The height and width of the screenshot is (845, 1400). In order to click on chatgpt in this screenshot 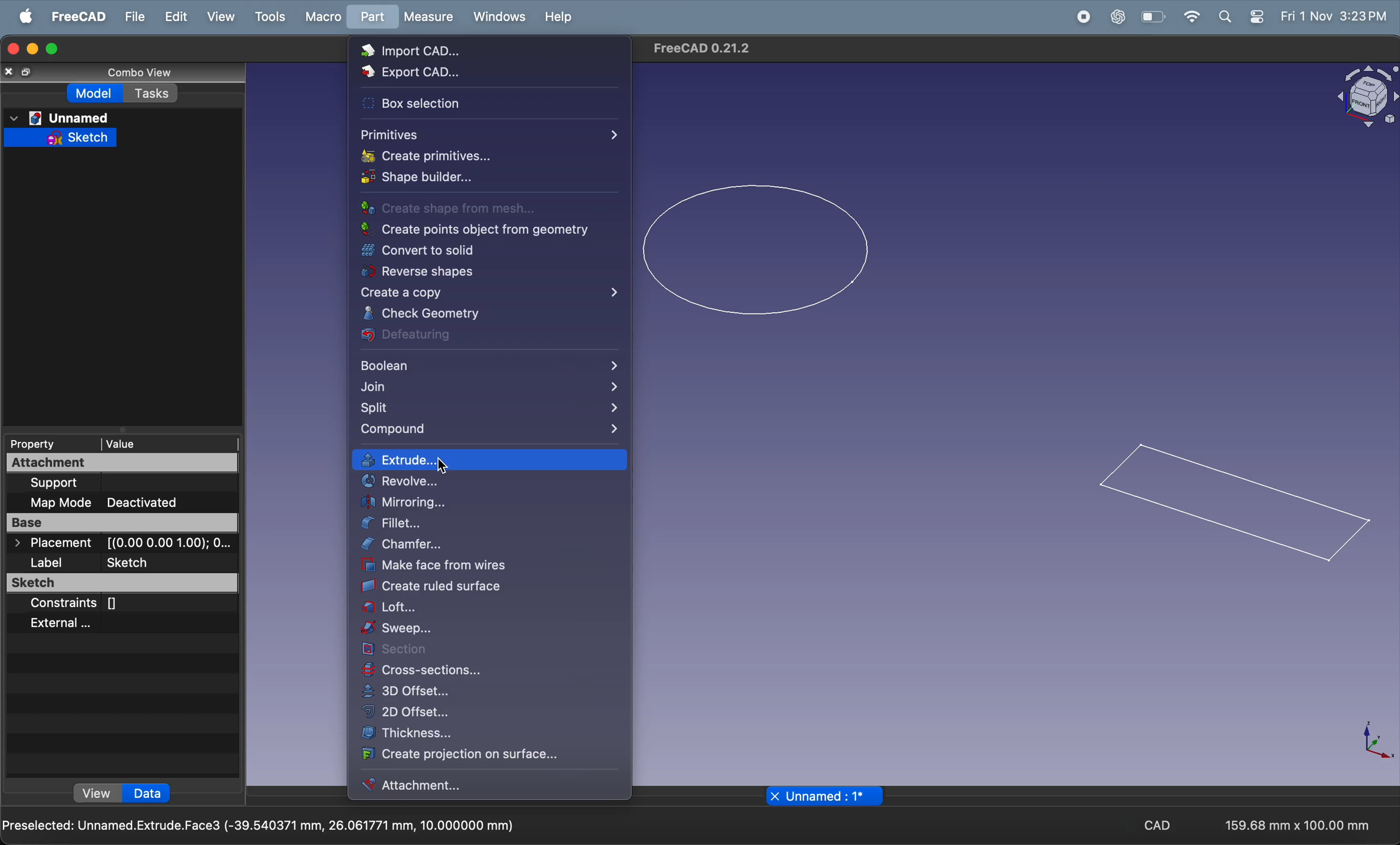, I will do `click(1118, 16)`.